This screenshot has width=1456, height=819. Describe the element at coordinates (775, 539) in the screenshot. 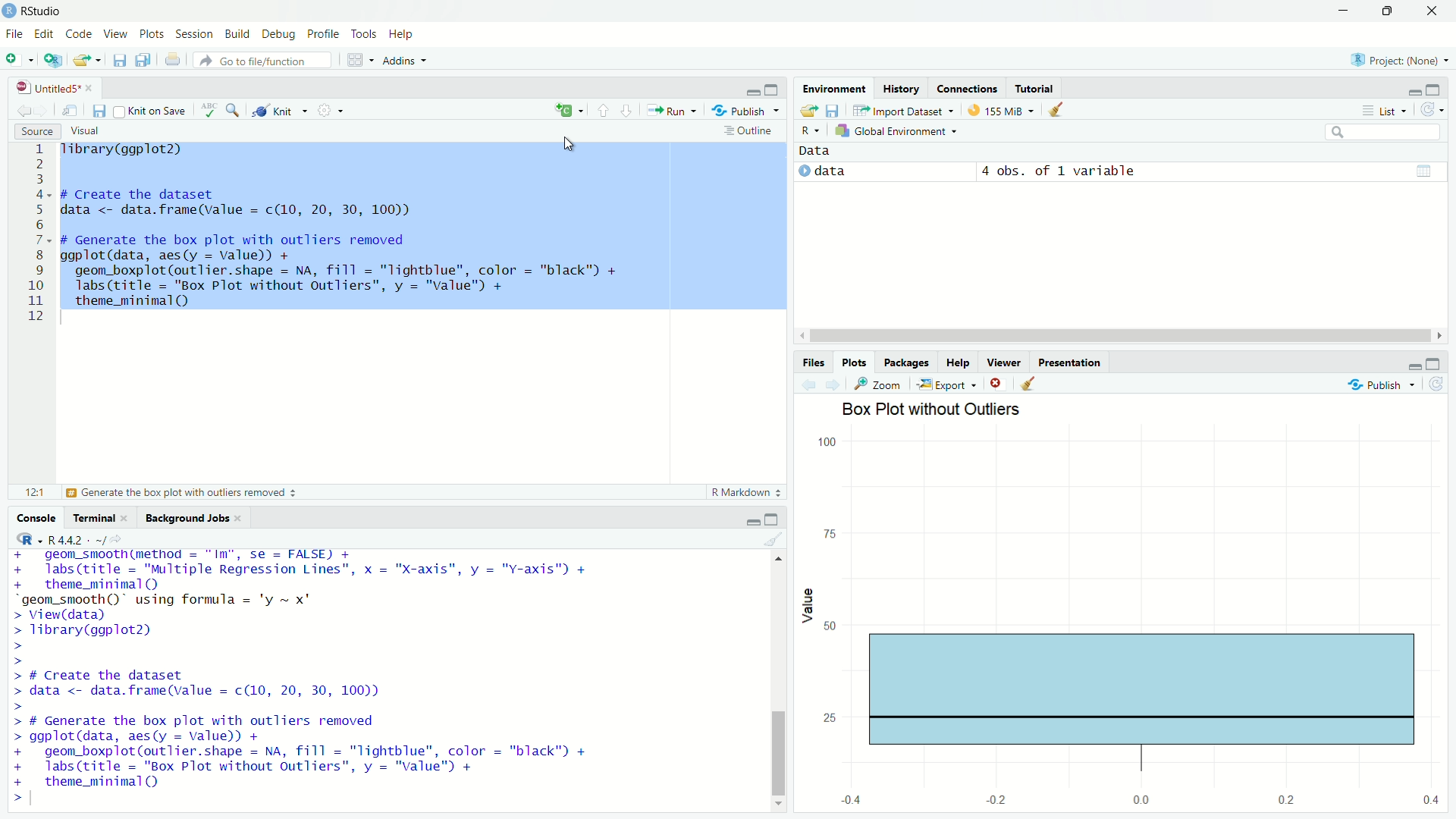

I see `clear` at that location.